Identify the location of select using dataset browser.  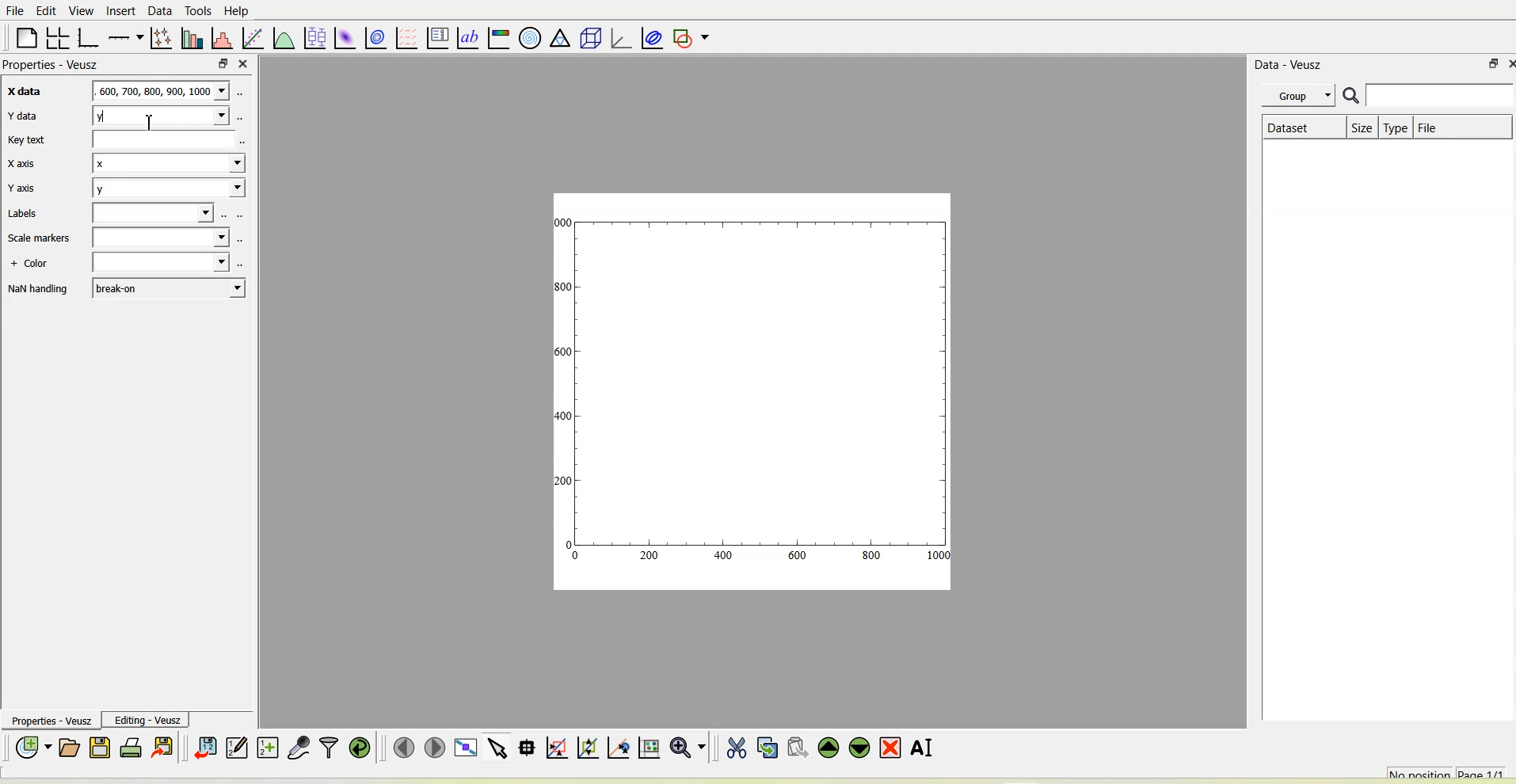
(242, 215).